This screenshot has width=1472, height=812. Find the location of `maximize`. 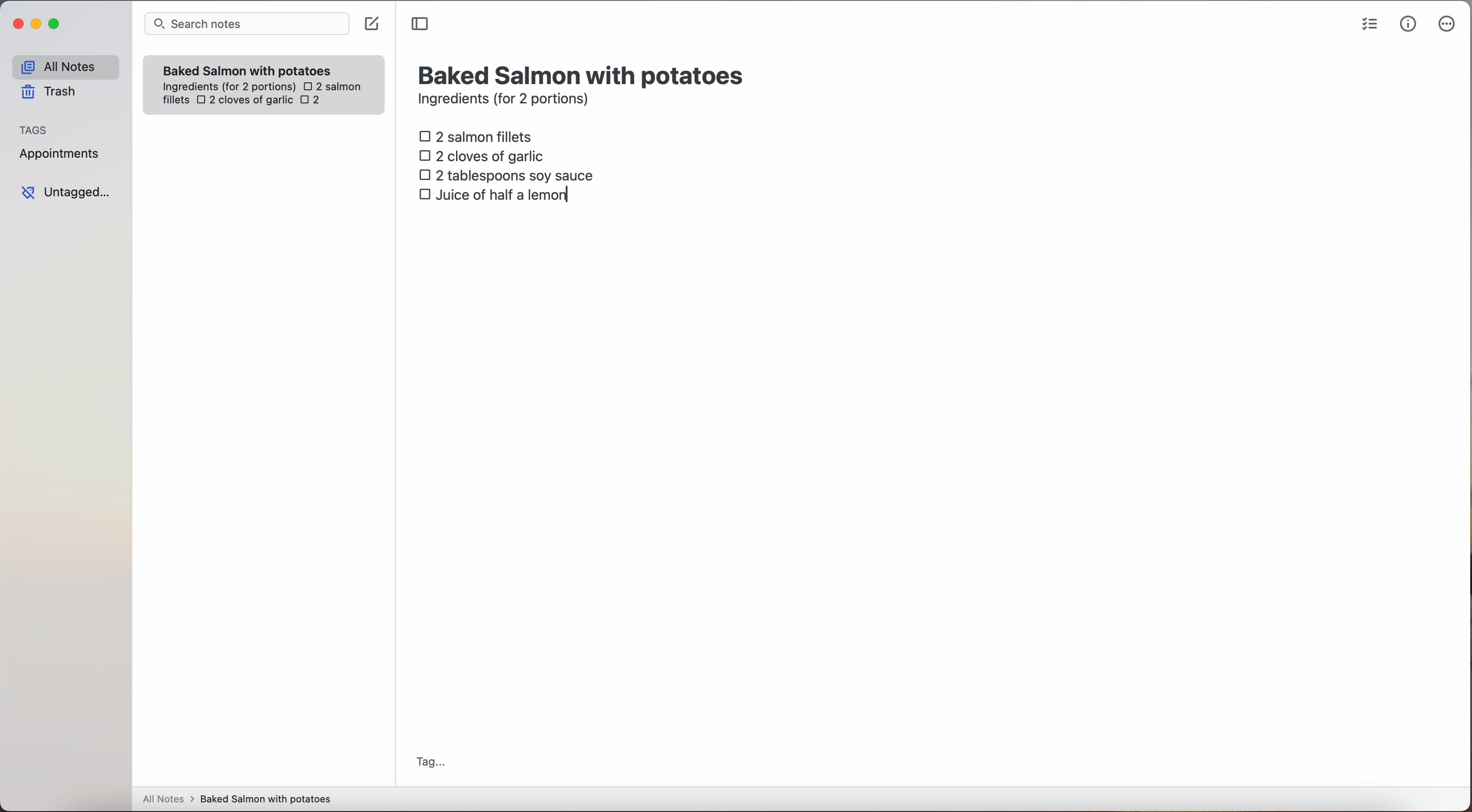

maximize is located at coordinates (56, 23).